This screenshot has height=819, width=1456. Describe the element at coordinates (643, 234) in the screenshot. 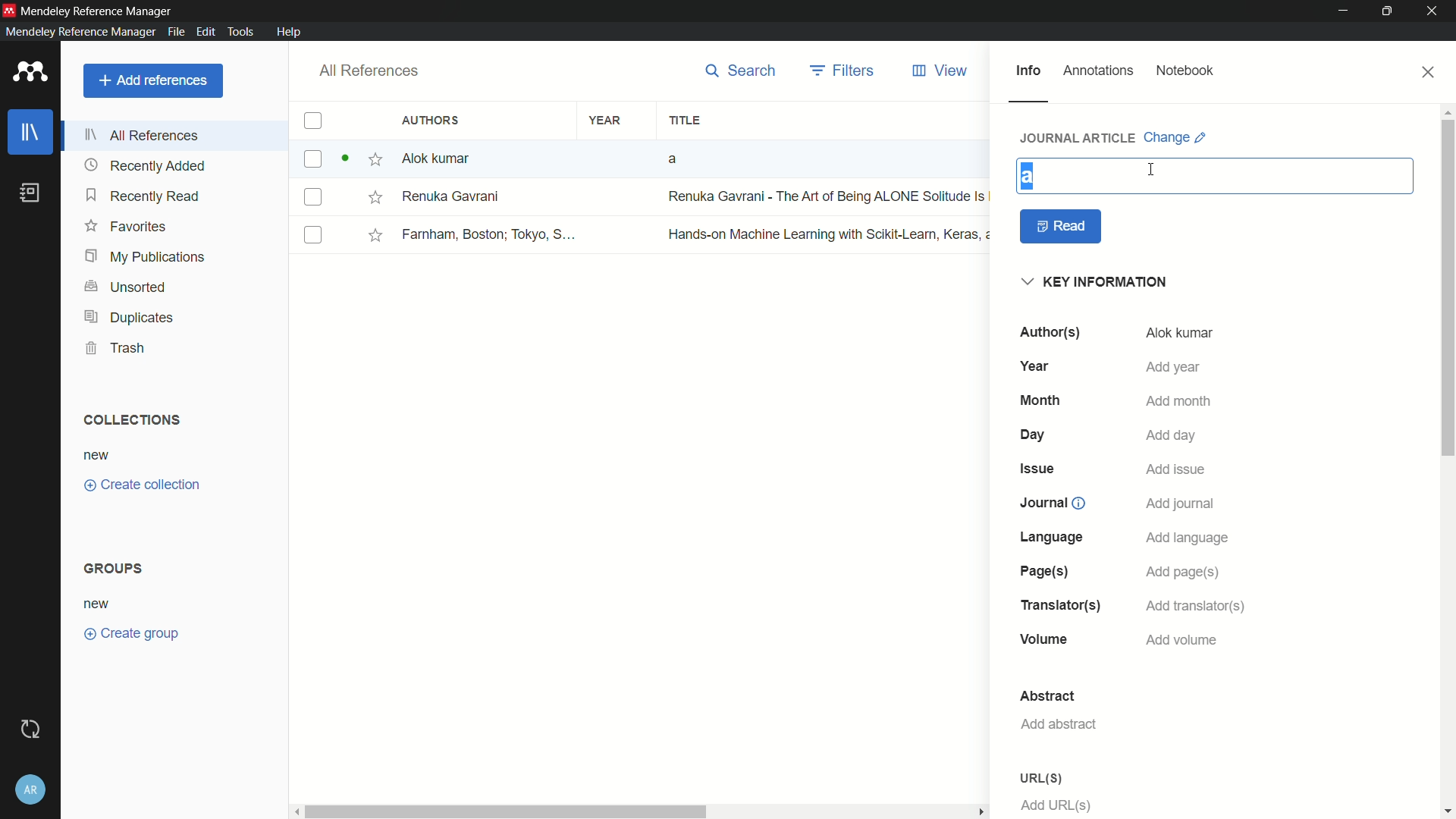

I see `book-3` at that location.